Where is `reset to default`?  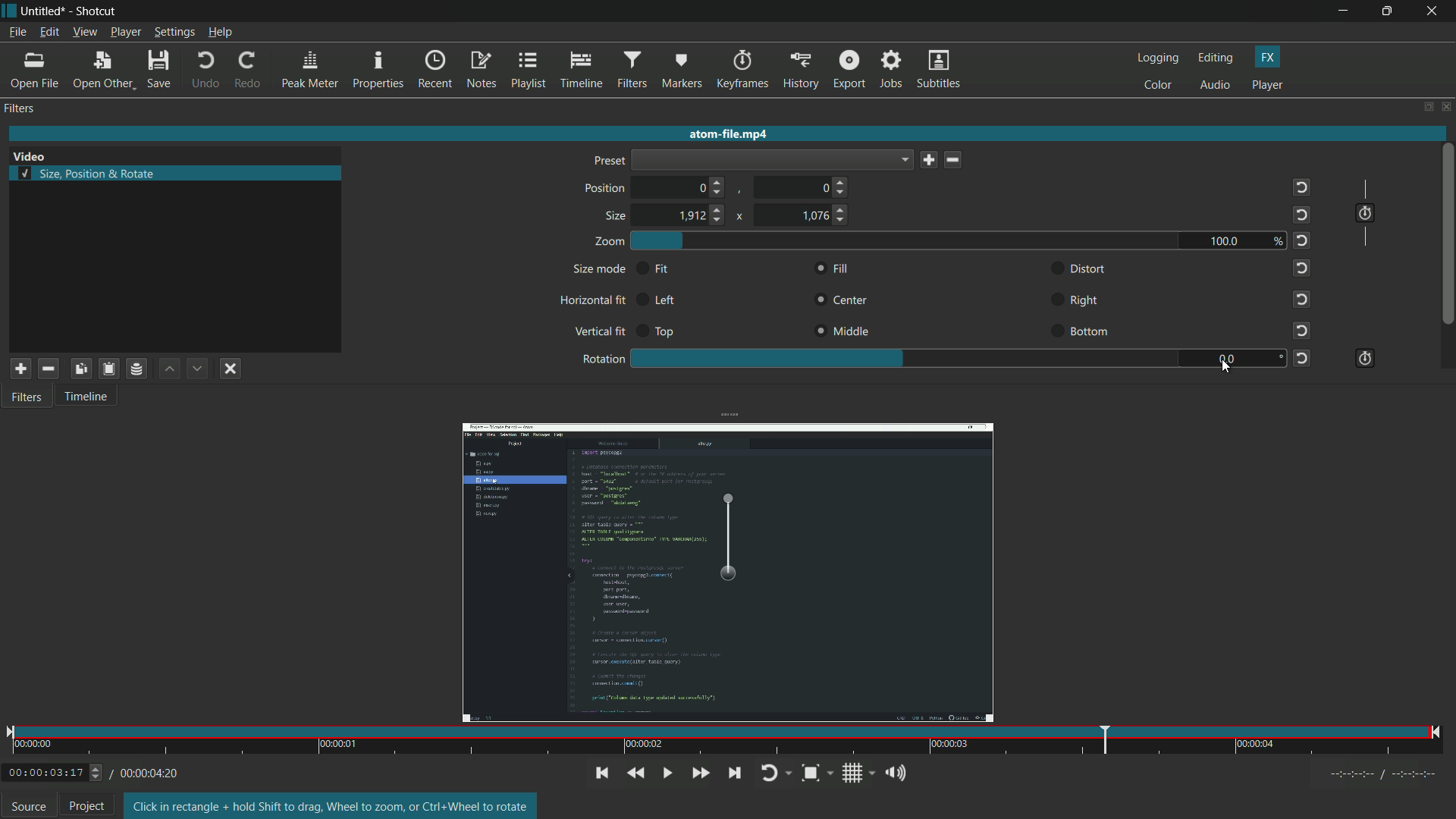
reset to default is located at coordinates (1303, 357).